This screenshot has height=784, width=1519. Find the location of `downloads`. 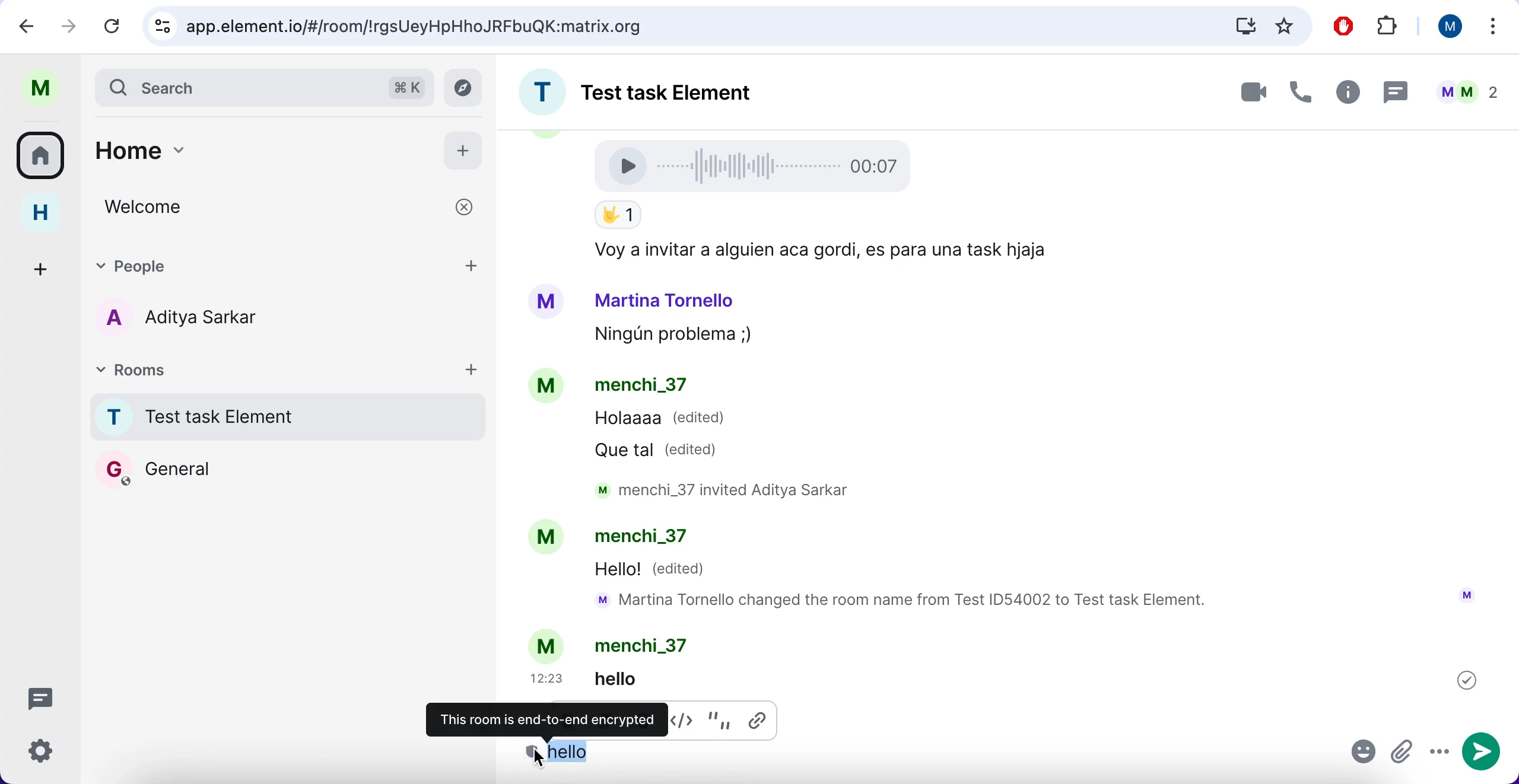

downloads is located at coordinates (1244, 26).